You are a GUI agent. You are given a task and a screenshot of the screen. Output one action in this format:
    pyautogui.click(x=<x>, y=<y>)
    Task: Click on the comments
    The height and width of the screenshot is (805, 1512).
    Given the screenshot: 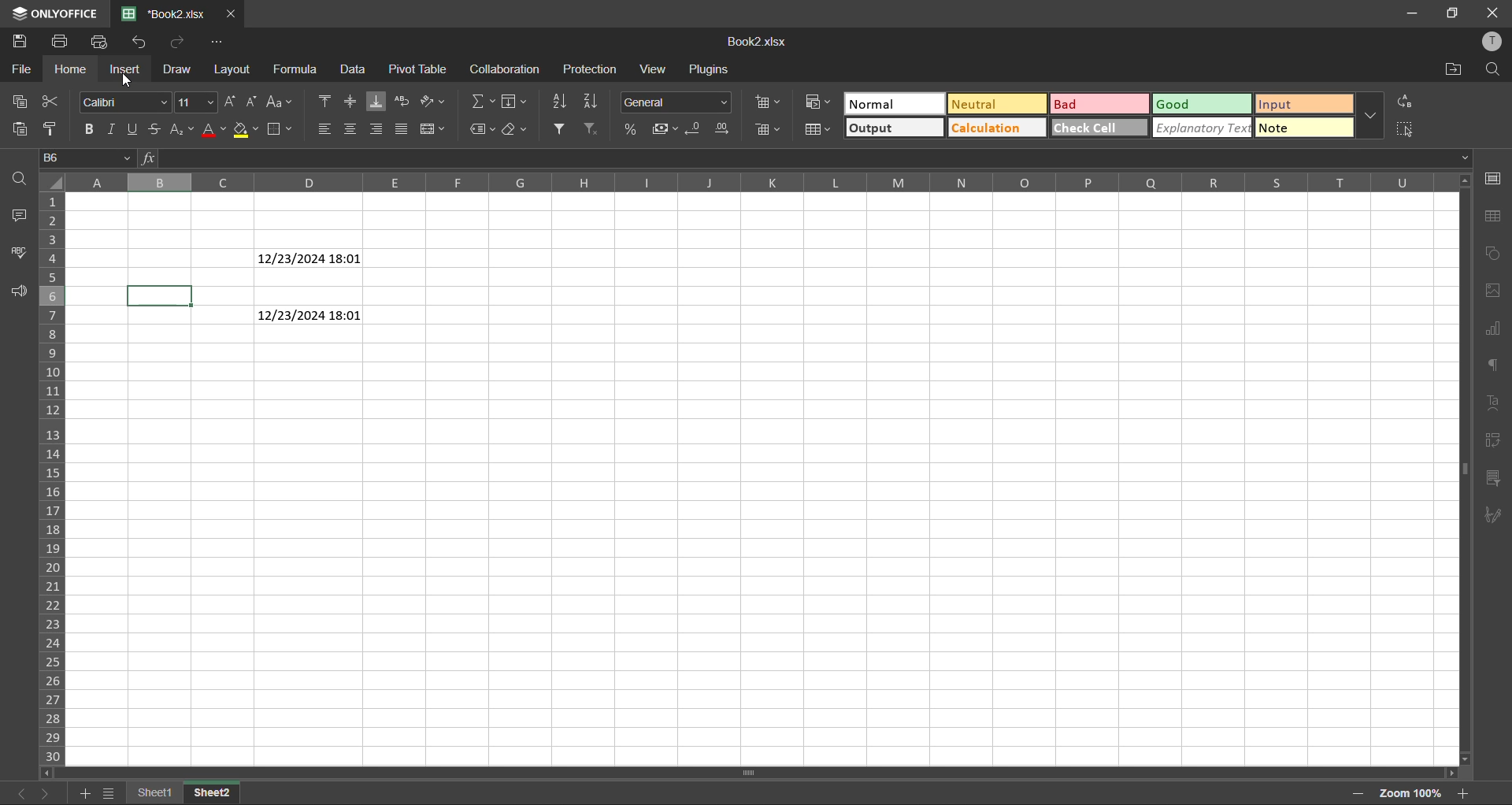 What is the action you would take?
    pyautogui.click(x=25, y=217)
    